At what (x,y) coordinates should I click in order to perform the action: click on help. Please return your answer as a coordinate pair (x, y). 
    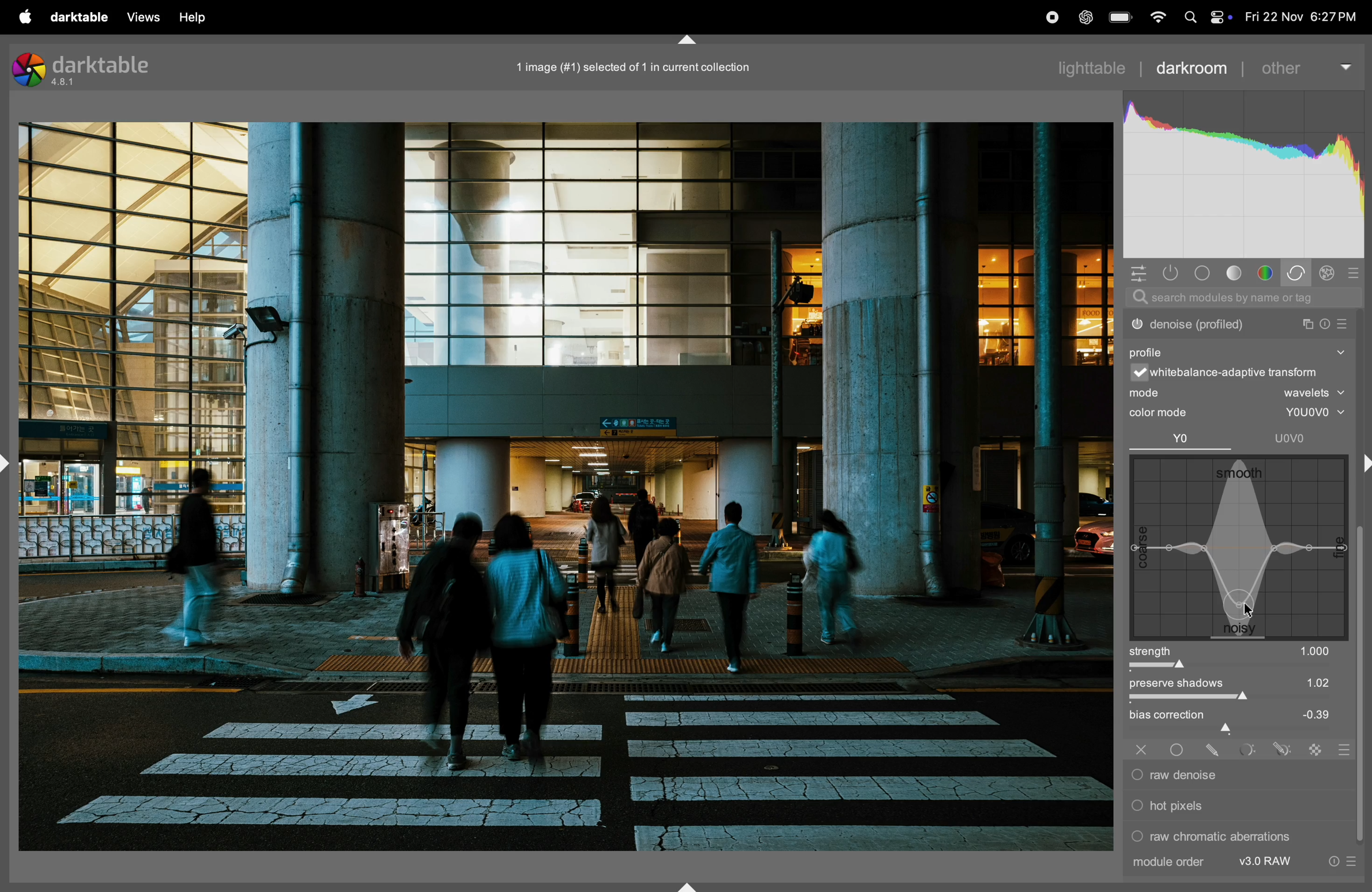
    Looking at the image, I should click on (198, 19).